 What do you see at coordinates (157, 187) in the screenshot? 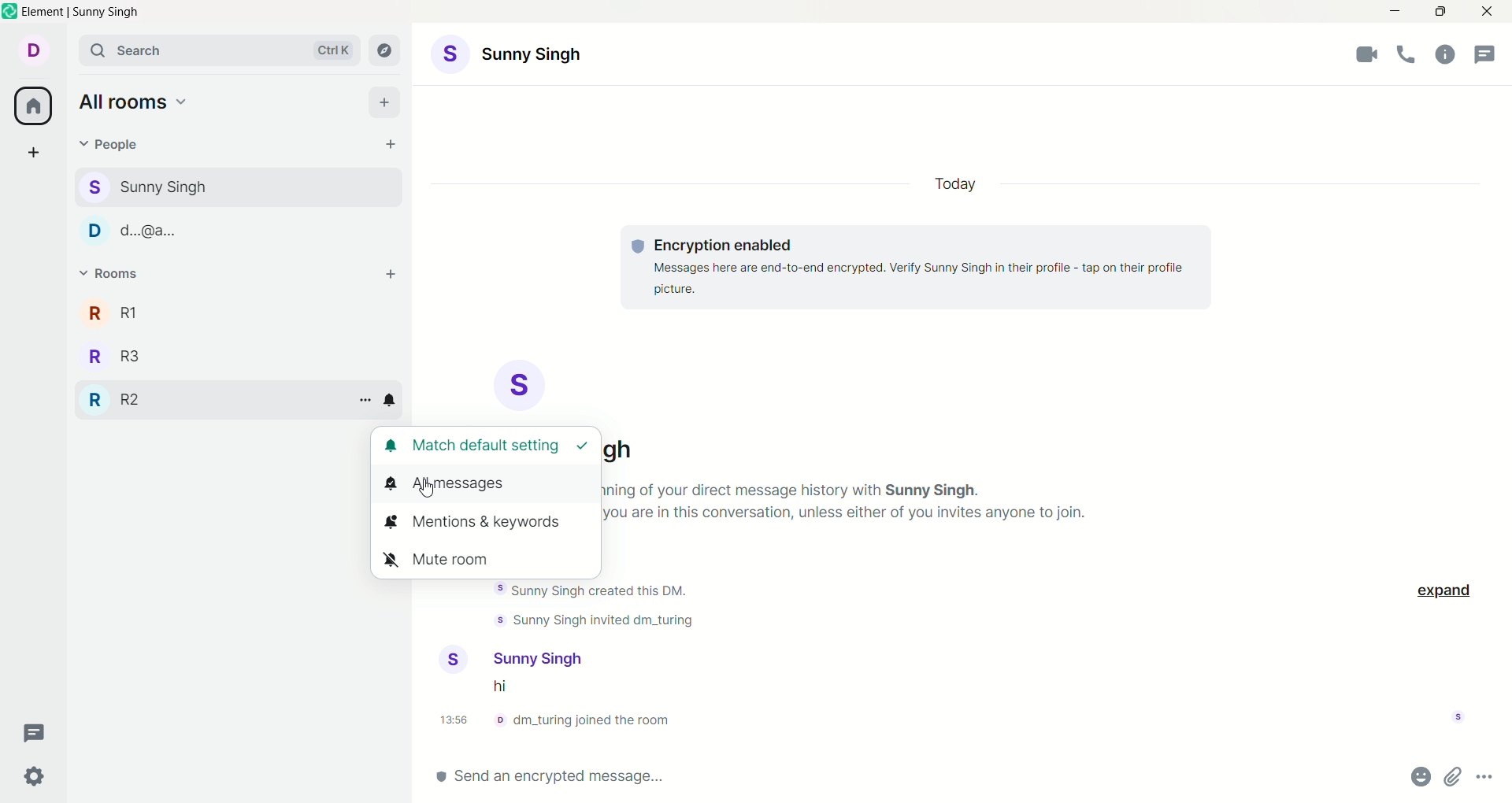
I see `s` at bounding box center [157, 187].